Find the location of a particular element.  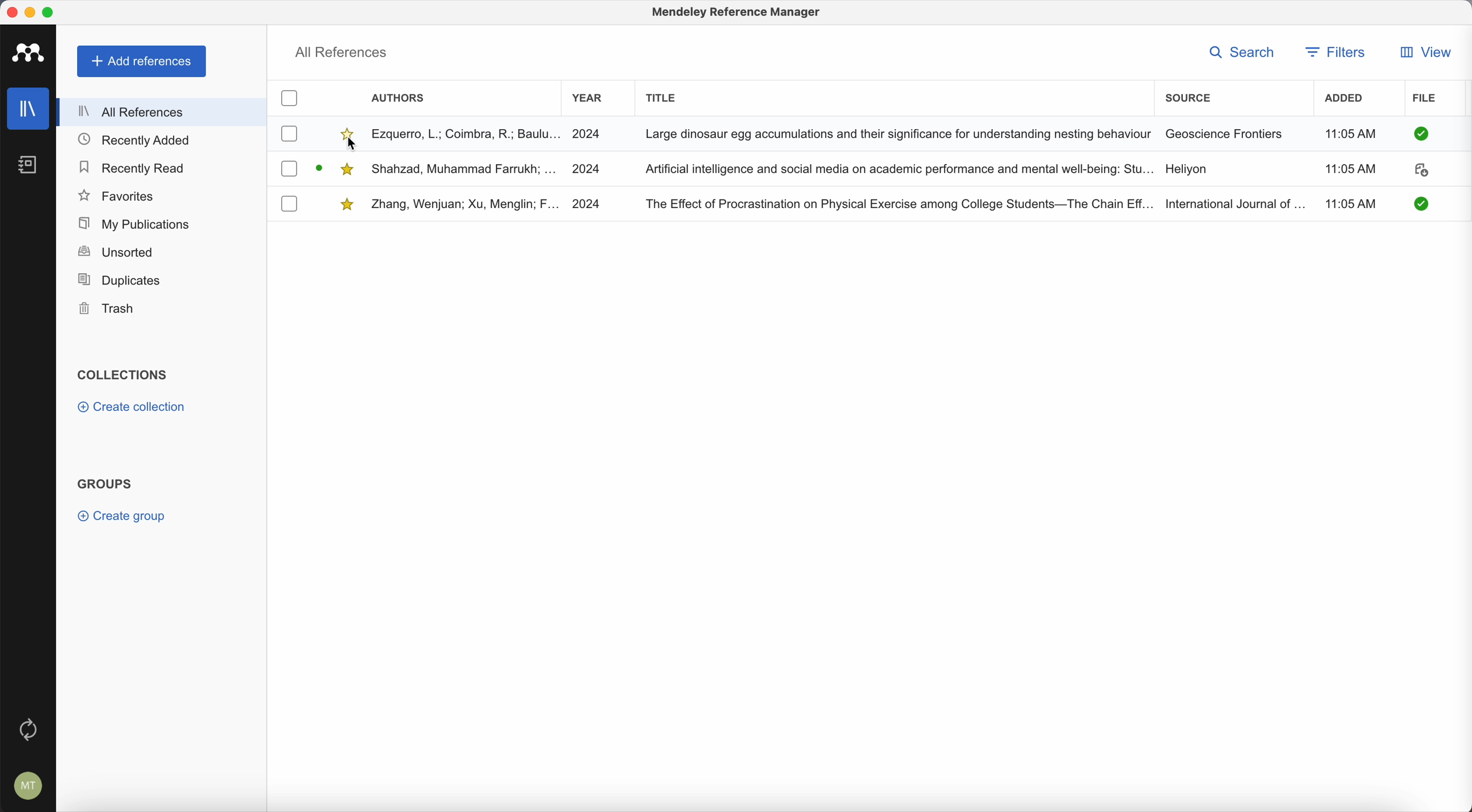

Large dinosaur egg accumulations and their significance for understanding nesting behaviour is located at coordinates (897, 133).